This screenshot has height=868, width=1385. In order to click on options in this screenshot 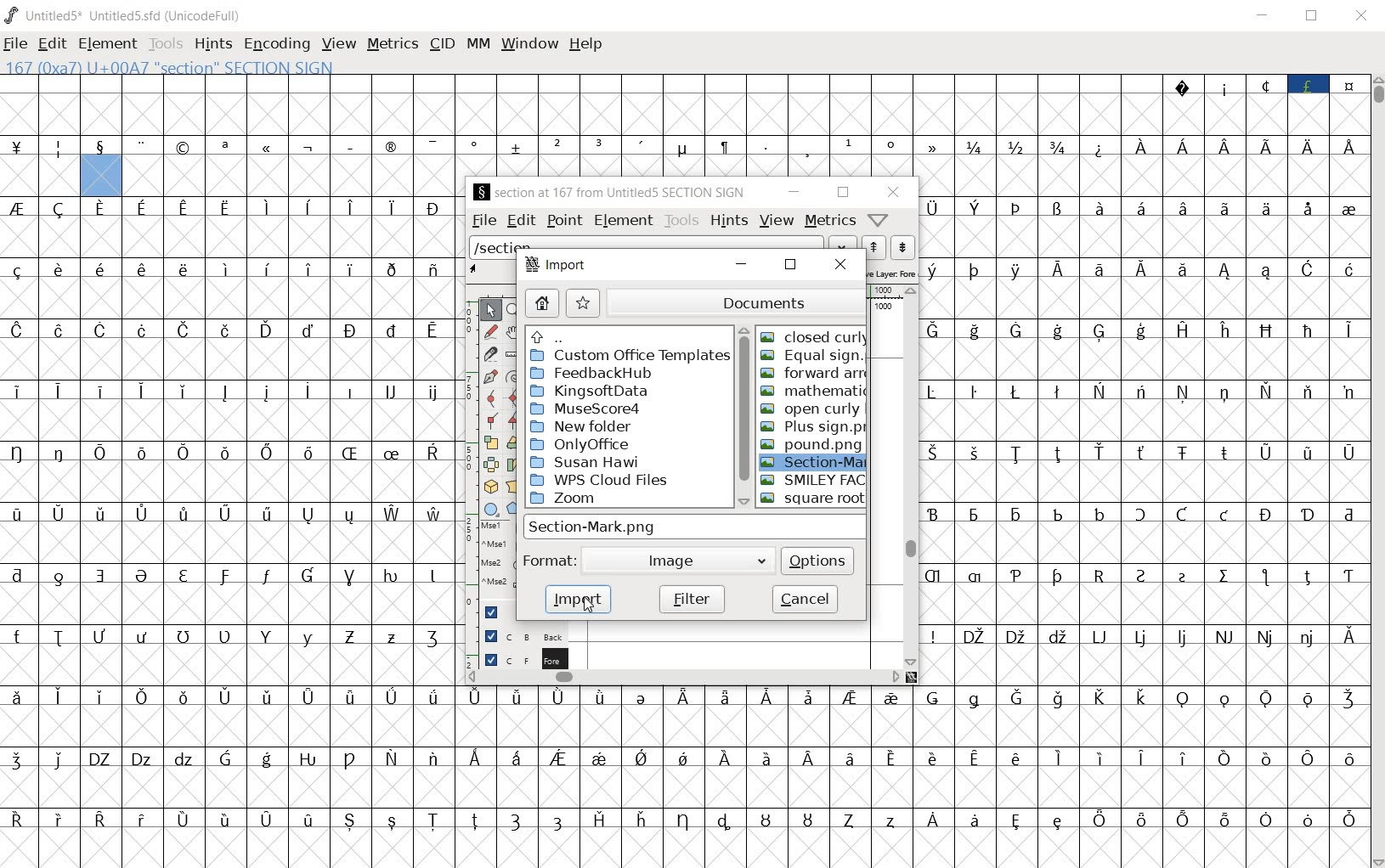, I will do `click(819, 560)`.